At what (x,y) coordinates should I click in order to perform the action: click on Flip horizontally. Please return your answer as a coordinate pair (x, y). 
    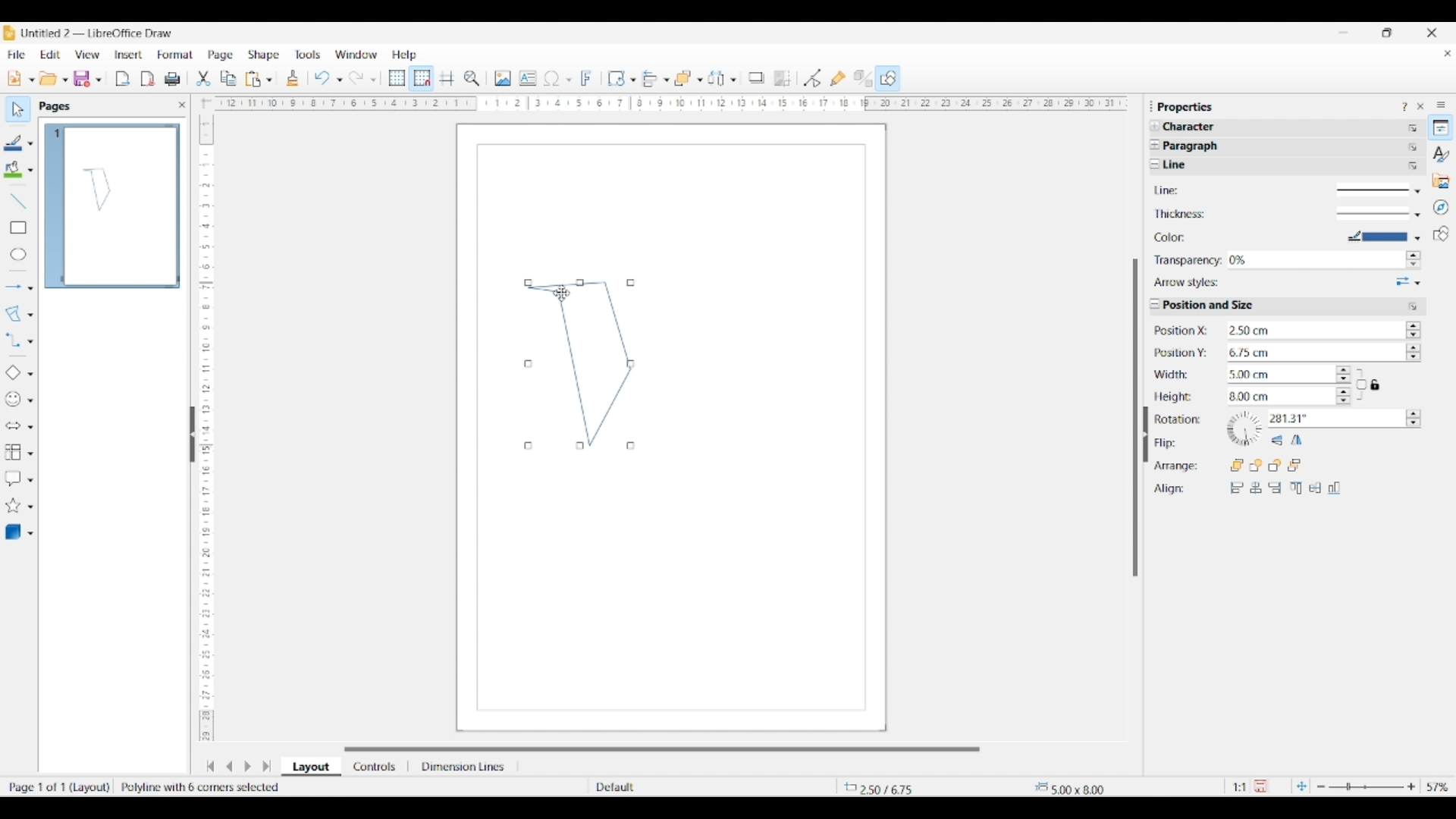
    Looking at the image, I should click on (1297, 440).